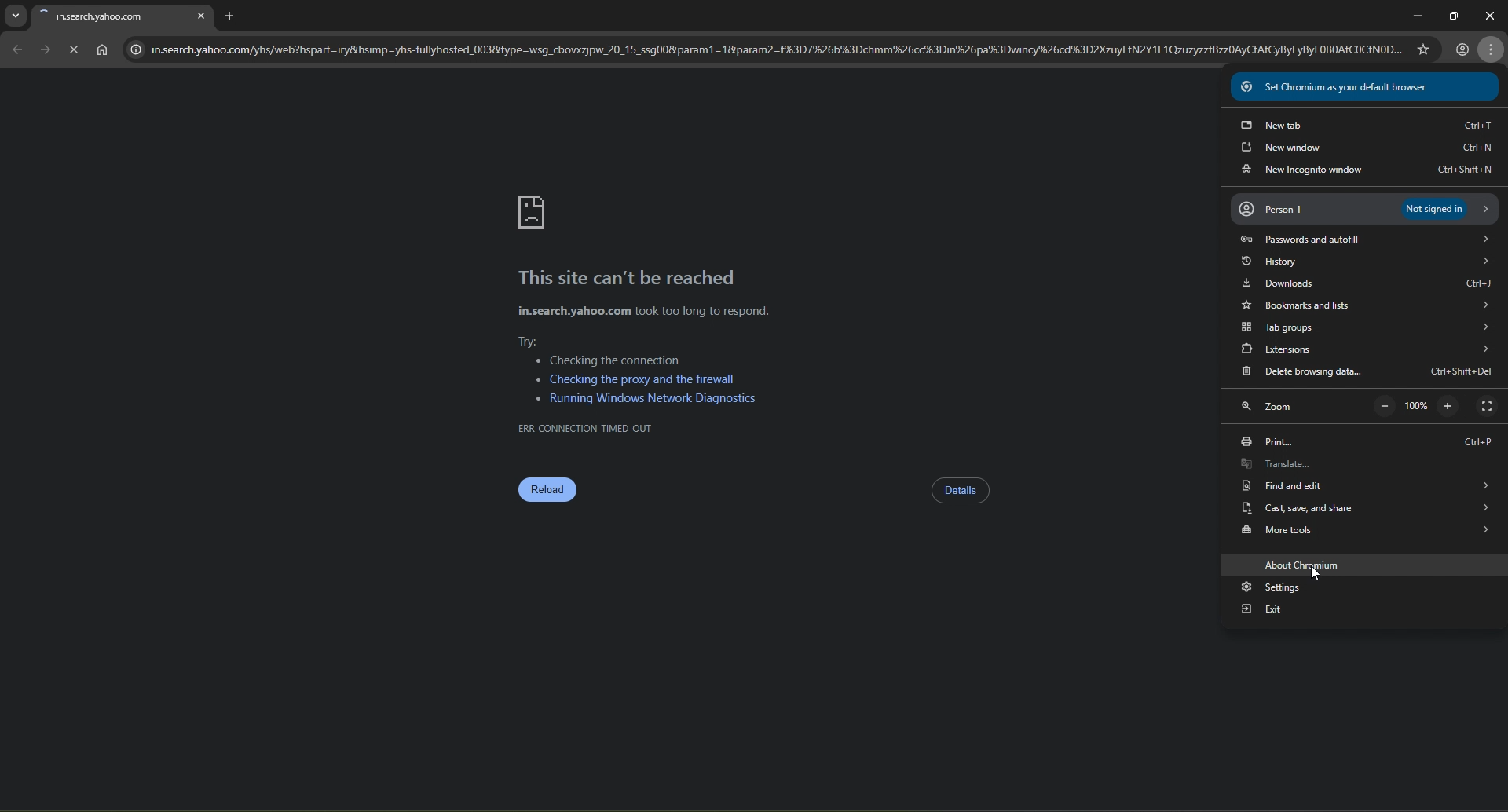  What do you see at coordinates (1416, 404) in the screenshot?
I see `current zoom level` at bounding box center [1416, 404].